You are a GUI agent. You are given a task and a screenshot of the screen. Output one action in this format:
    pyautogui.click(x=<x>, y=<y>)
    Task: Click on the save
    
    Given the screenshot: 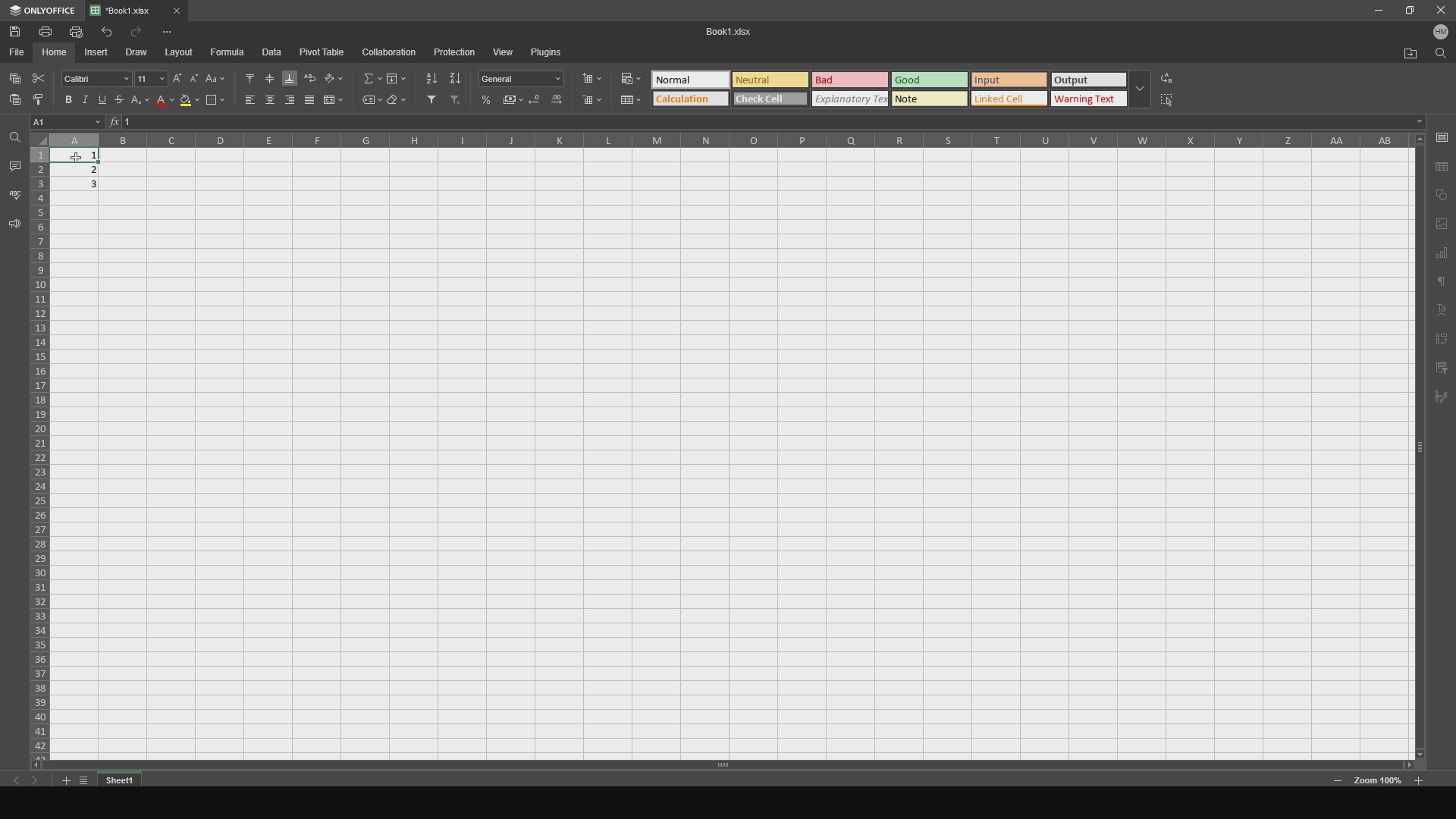 What is the action you would take?
    pyautogui.click(x=20, y=31)
    